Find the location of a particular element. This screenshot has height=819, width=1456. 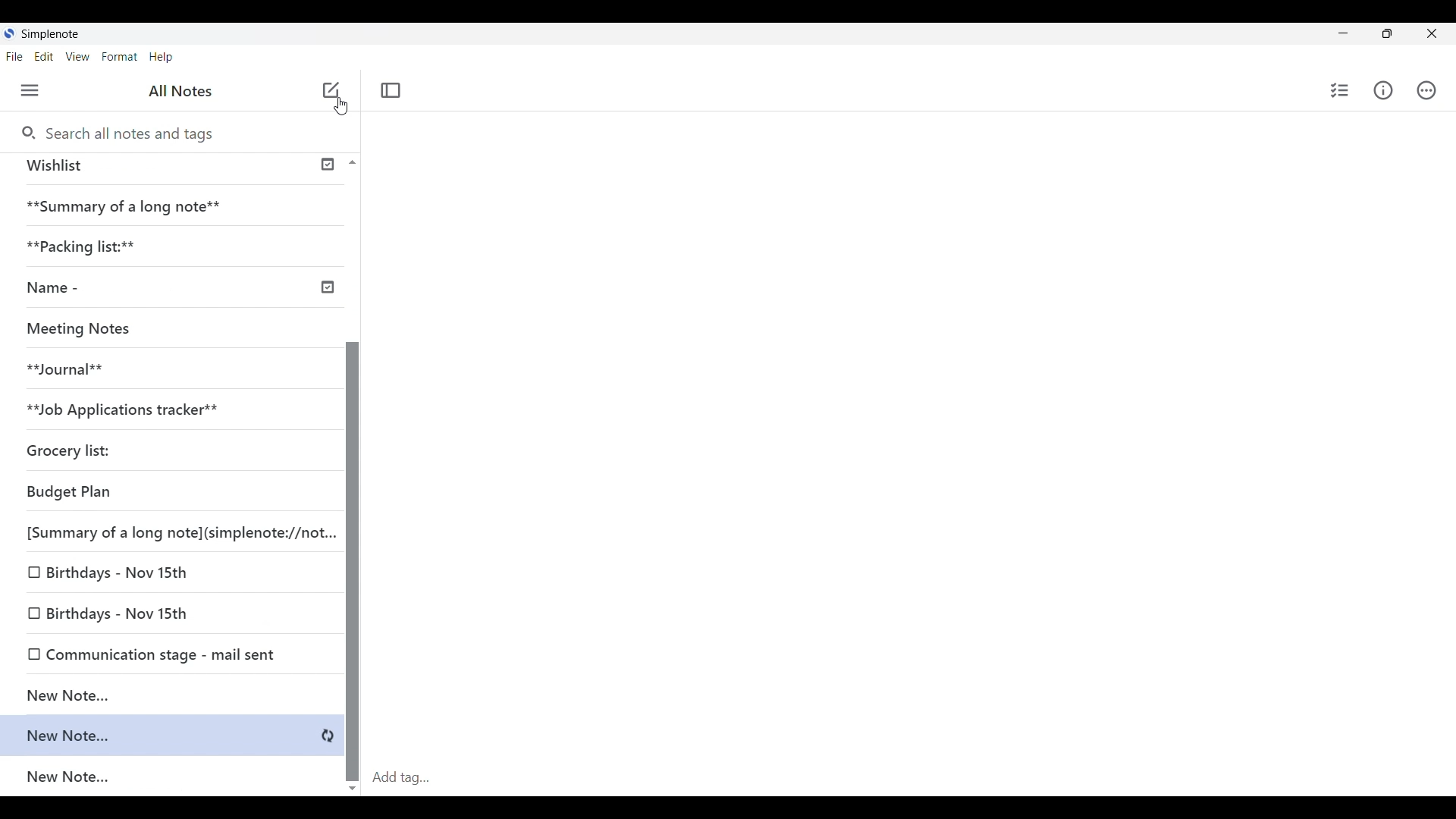

[Summary of a long note](simplenote://not. is located at coordinates (169, 533).